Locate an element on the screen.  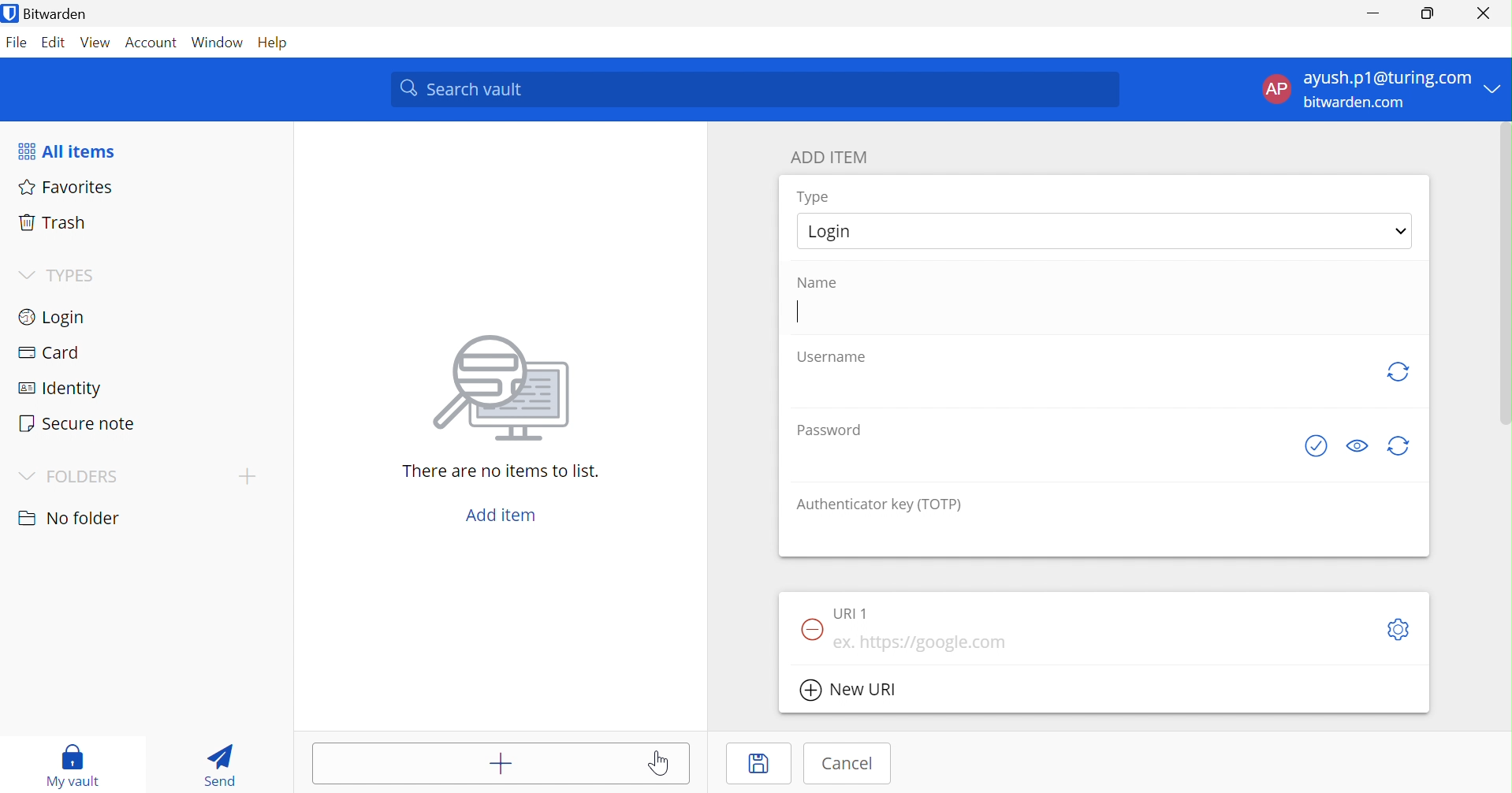
Restore Down is located at coordinates (1428, 11).